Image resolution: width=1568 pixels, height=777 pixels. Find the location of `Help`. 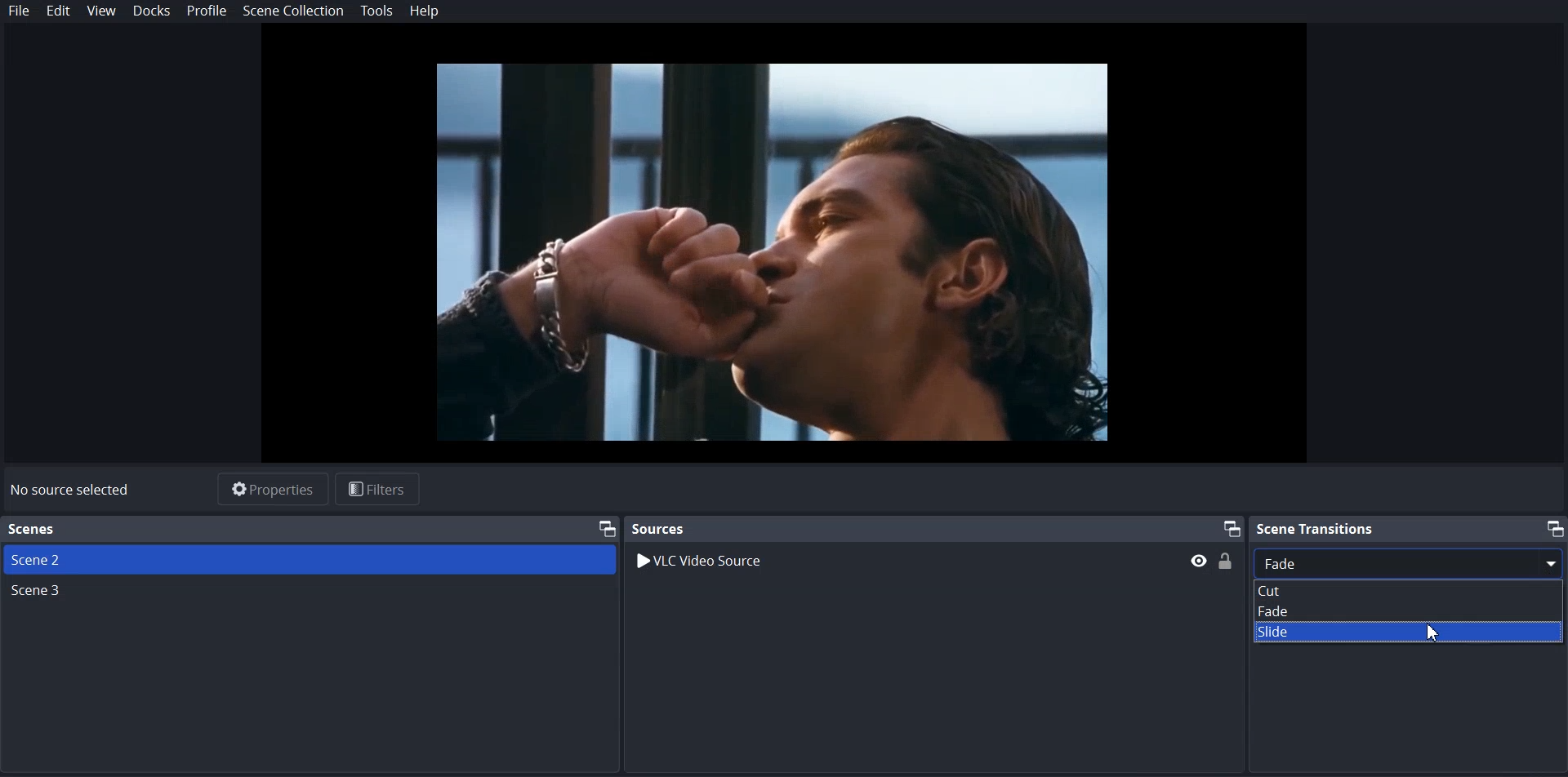

Help is located at coordinates (423, 12).